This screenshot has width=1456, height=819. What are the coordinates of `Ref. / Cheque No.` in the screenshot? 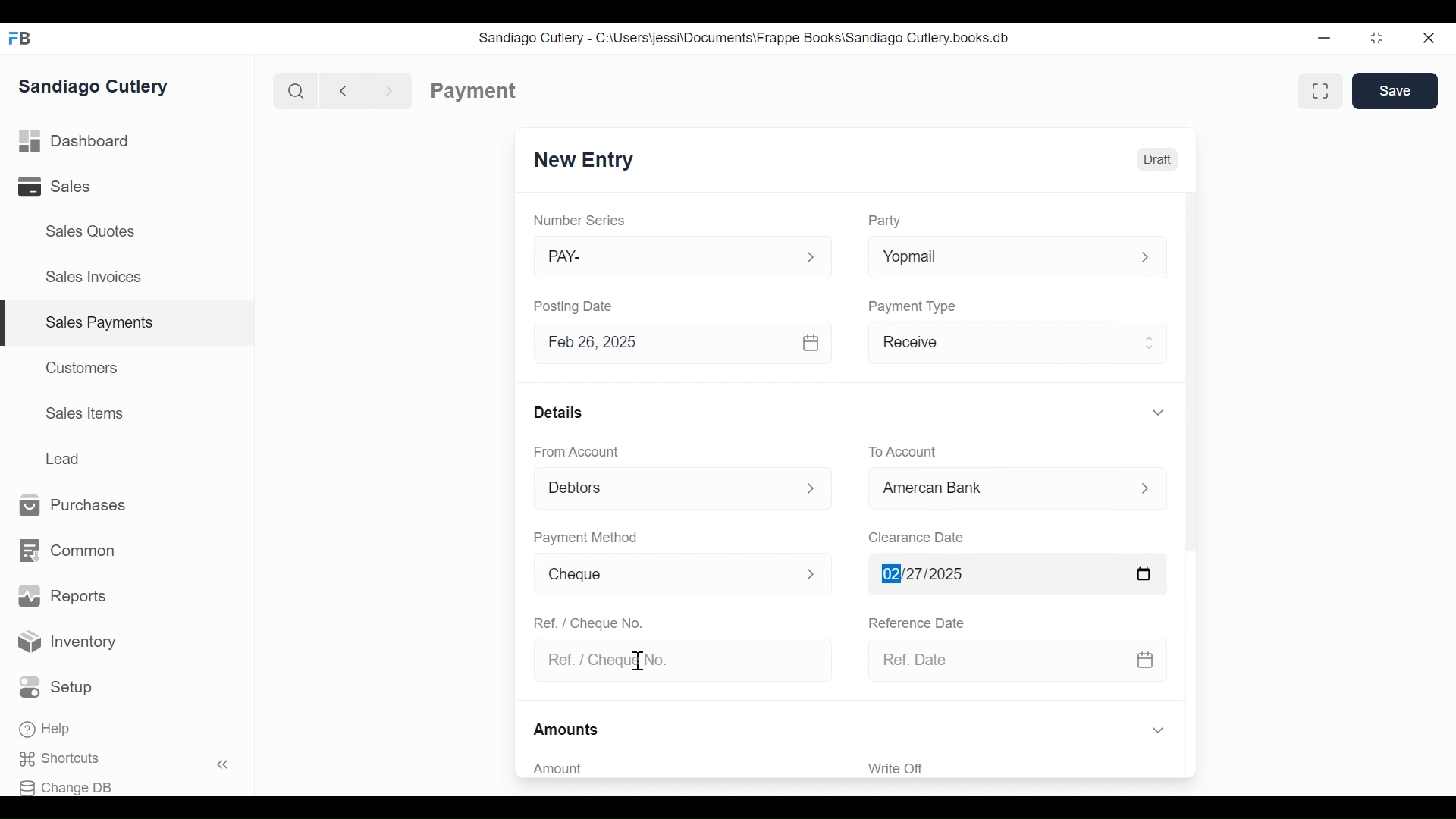 It's located at (676, 661).